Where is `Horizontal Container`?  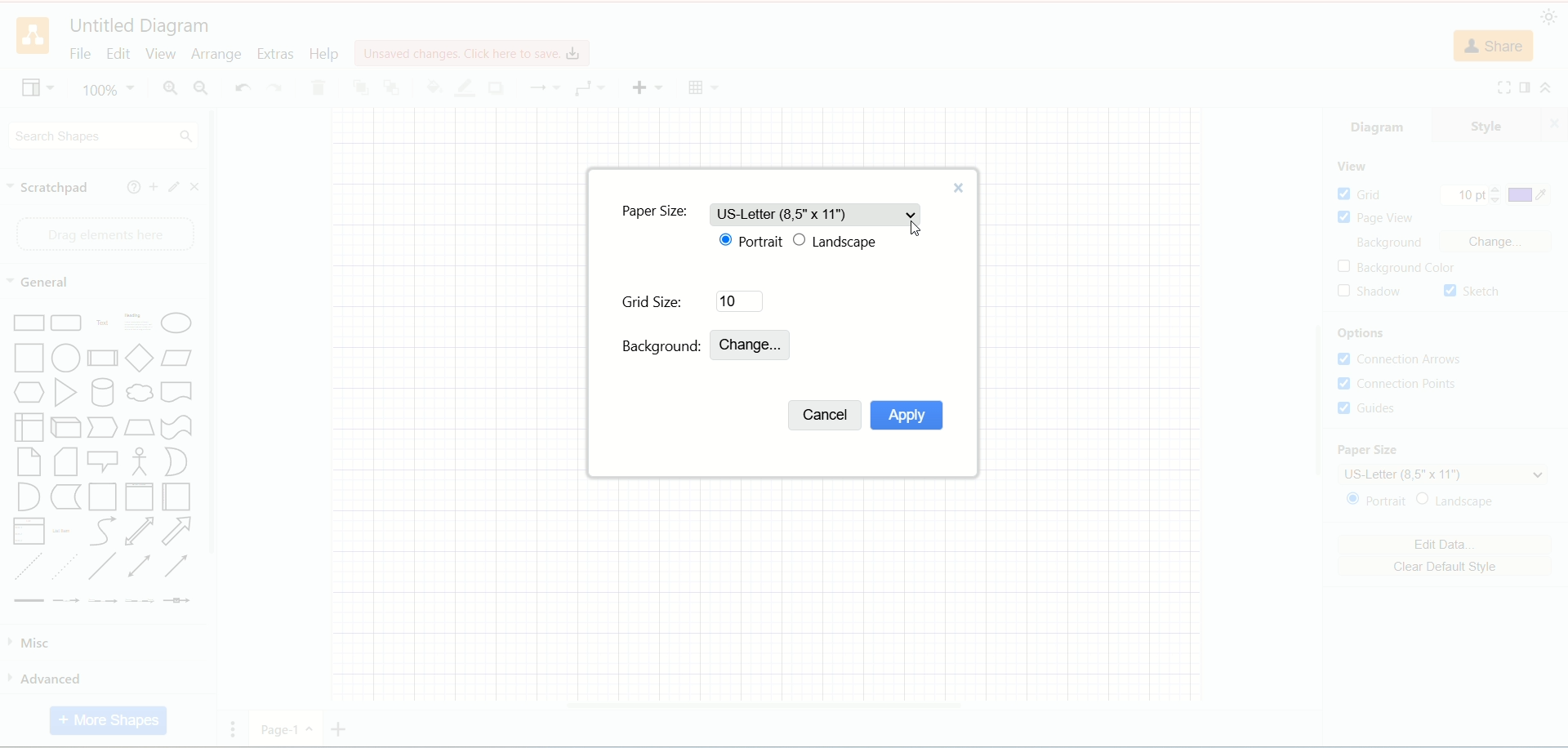 Horizontal Container is located at coordinates (176, 498).